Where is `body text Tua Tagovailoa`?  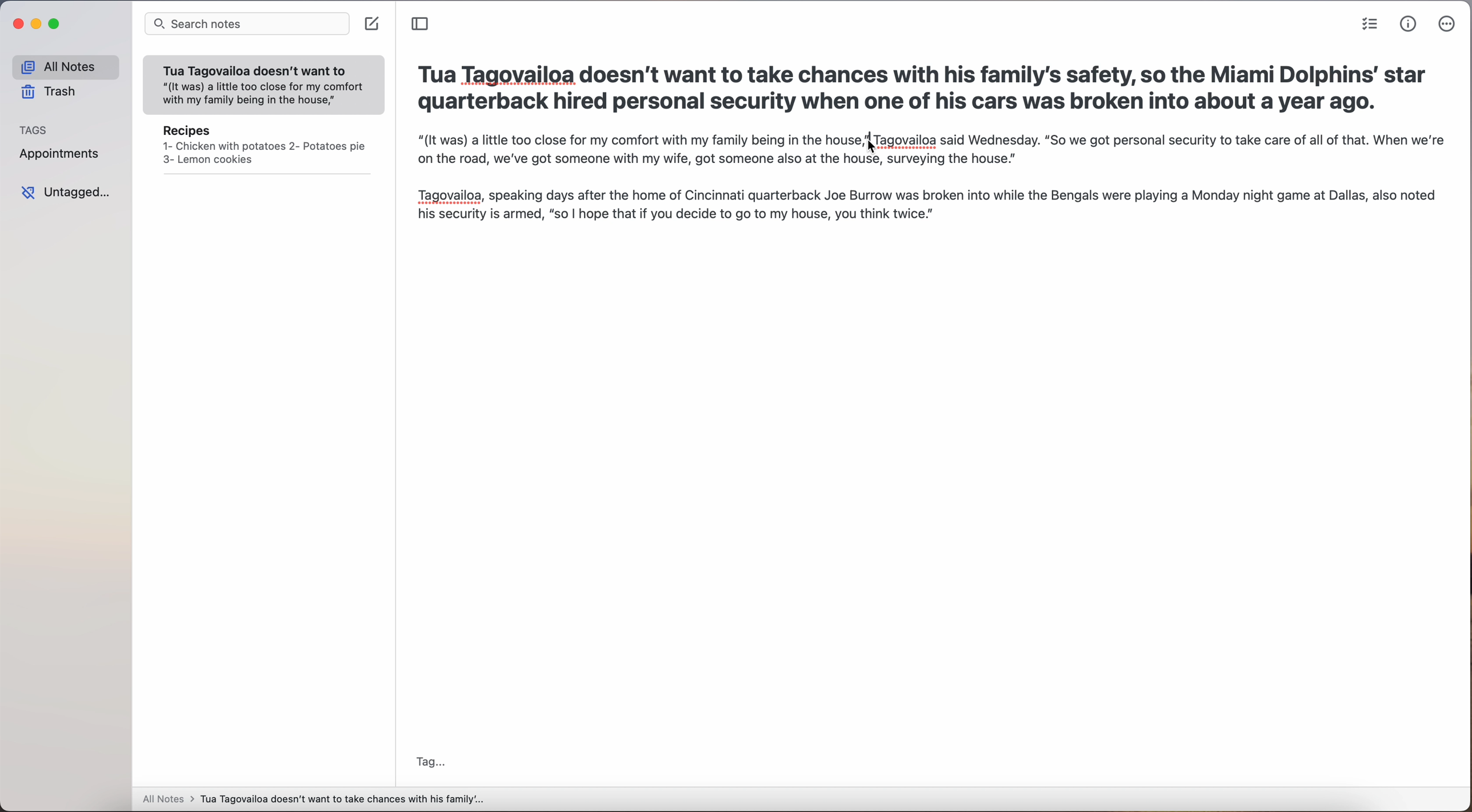
body text Tua Tagovailoa is located at coordinates (927, 190).